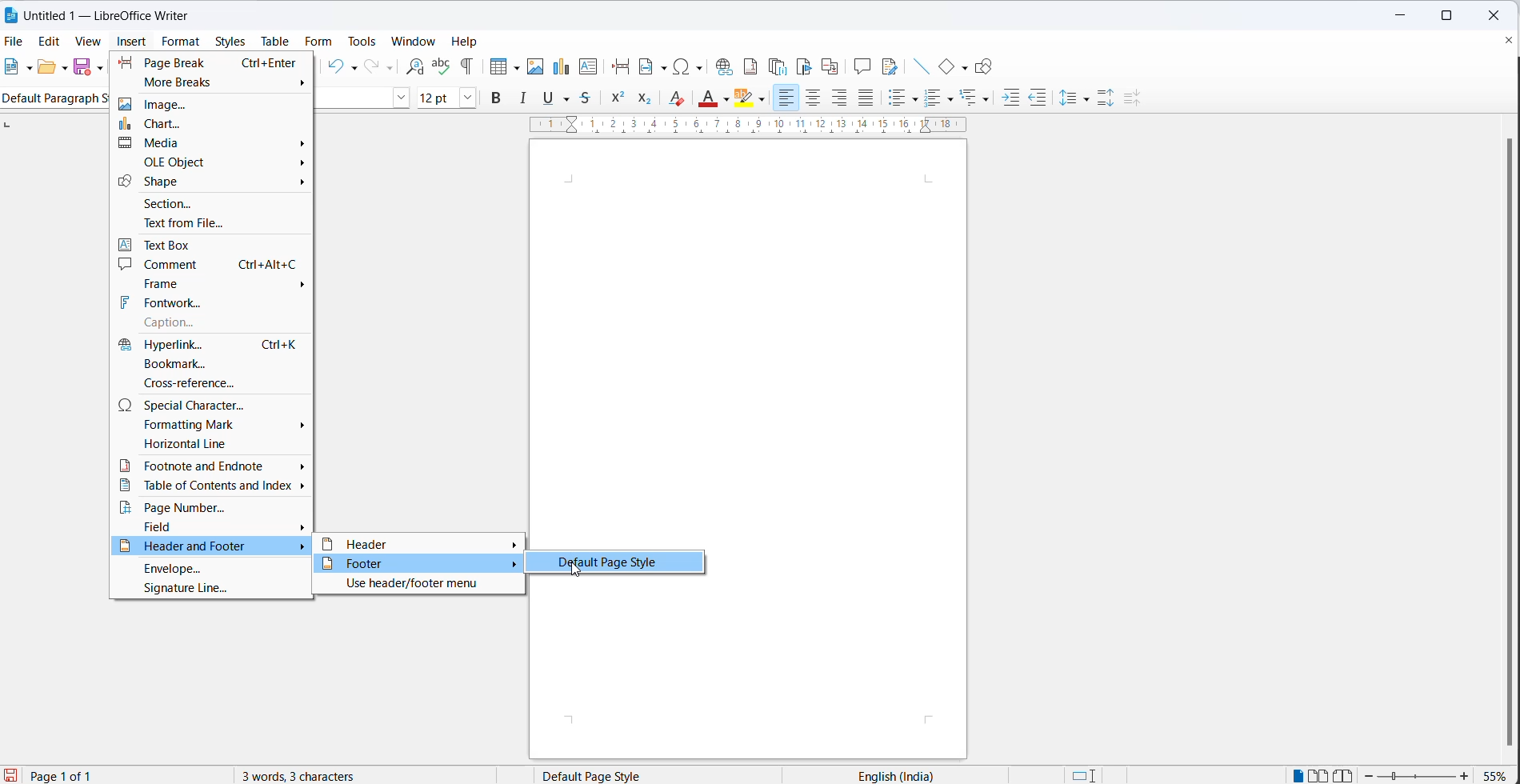  I want to click on justified, so click(867, 98).